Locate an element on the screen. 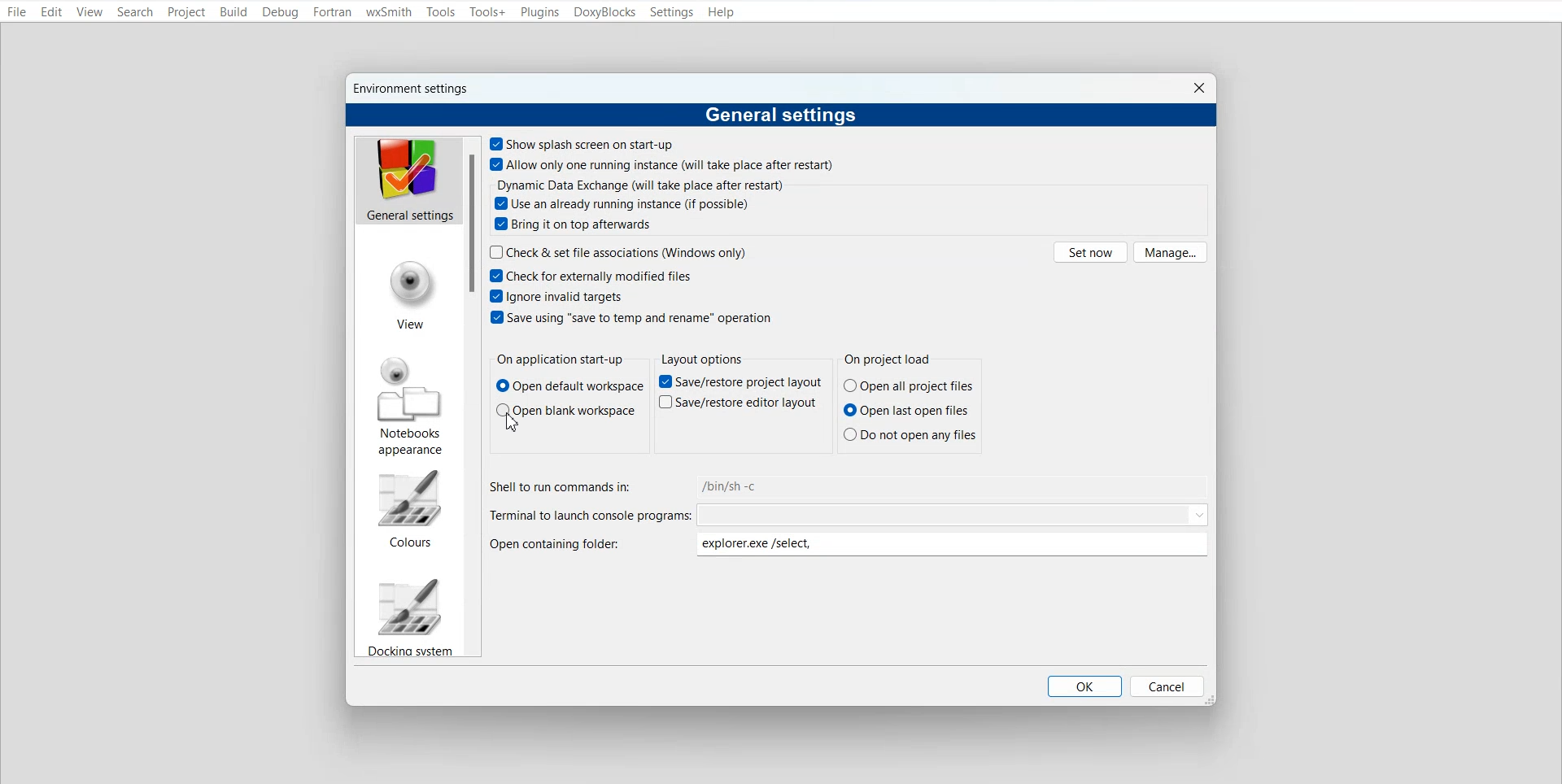  Do not open any files is located at coordinates (910, 433).